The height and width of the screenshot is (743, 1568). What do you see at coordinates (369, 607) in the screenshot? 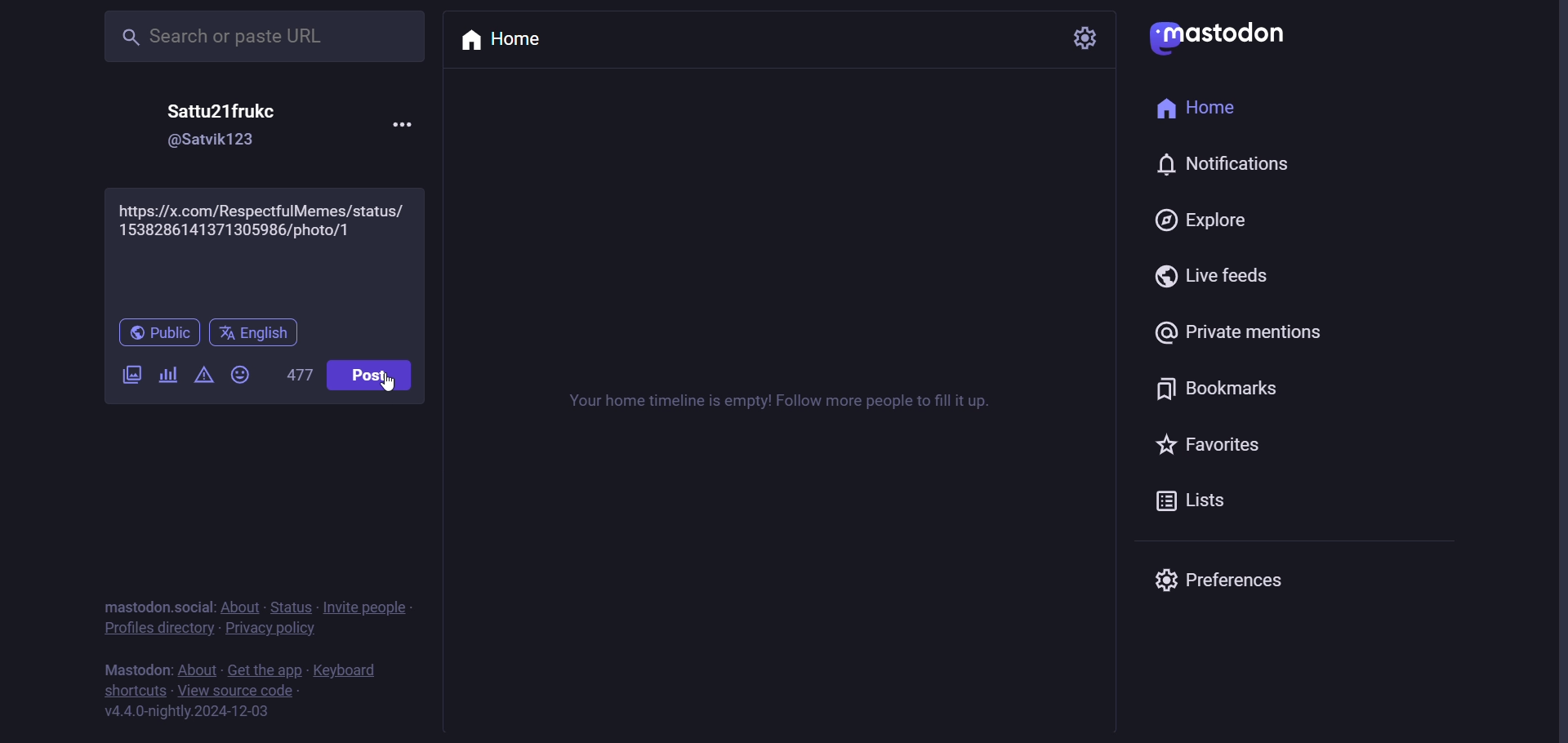
I see `invite people` at bounding box center [369, 607].